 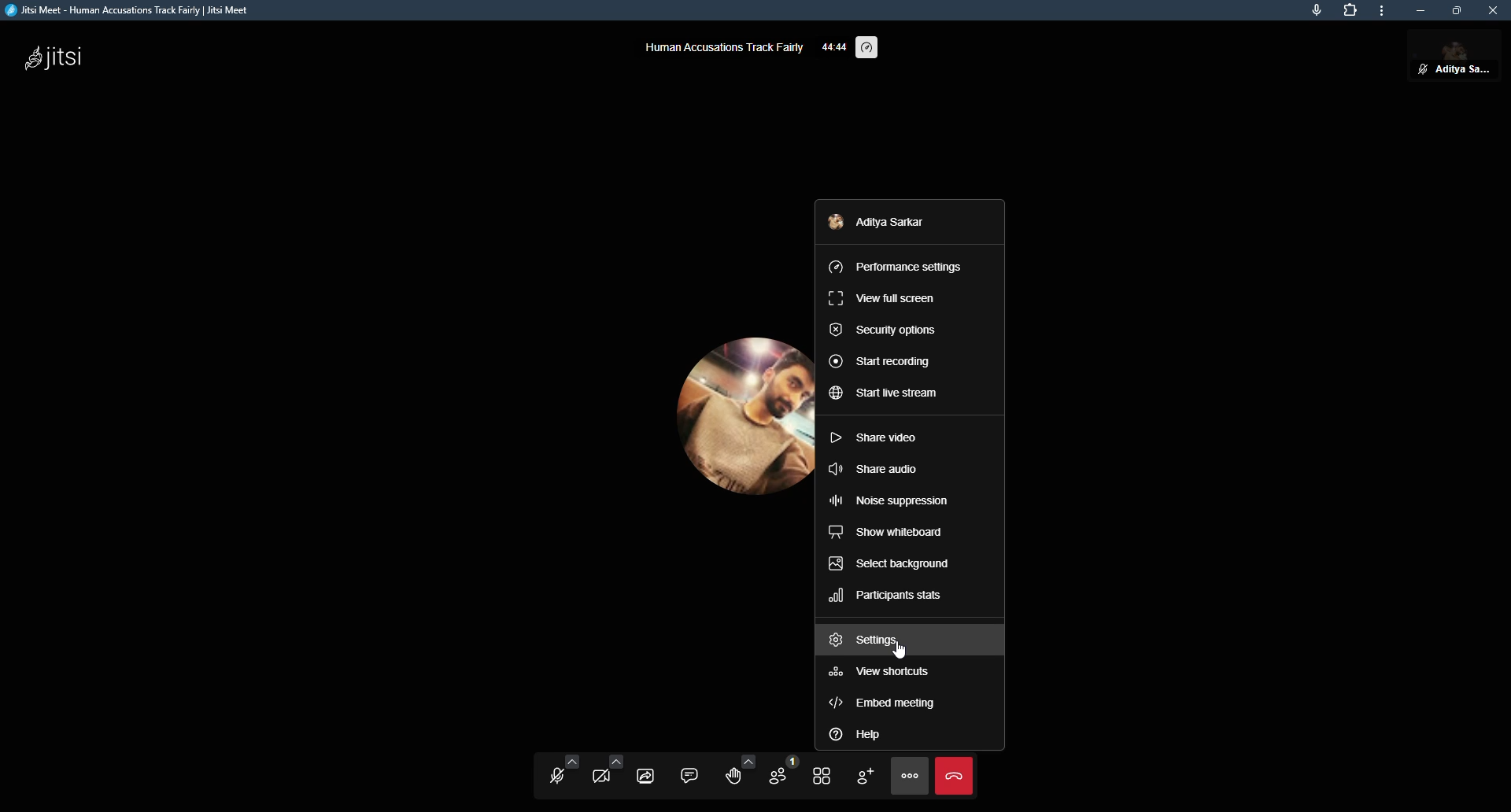 I want to click on chat, so click(x=686, y=773).